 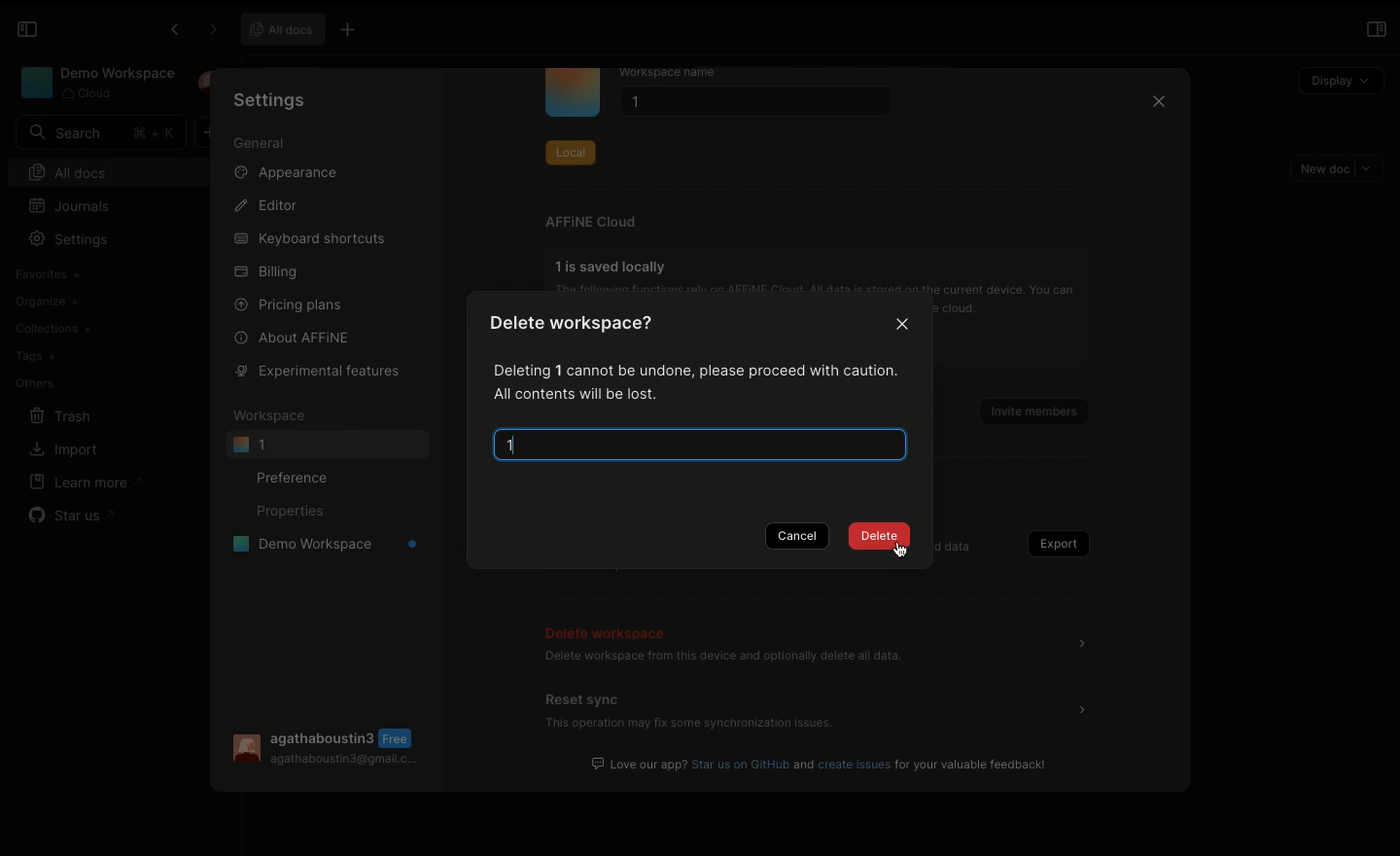 What do you see at coordinates (27, 29) in the screenshot?
I see `Collapse sidebar` at bounding box center [27, 29].